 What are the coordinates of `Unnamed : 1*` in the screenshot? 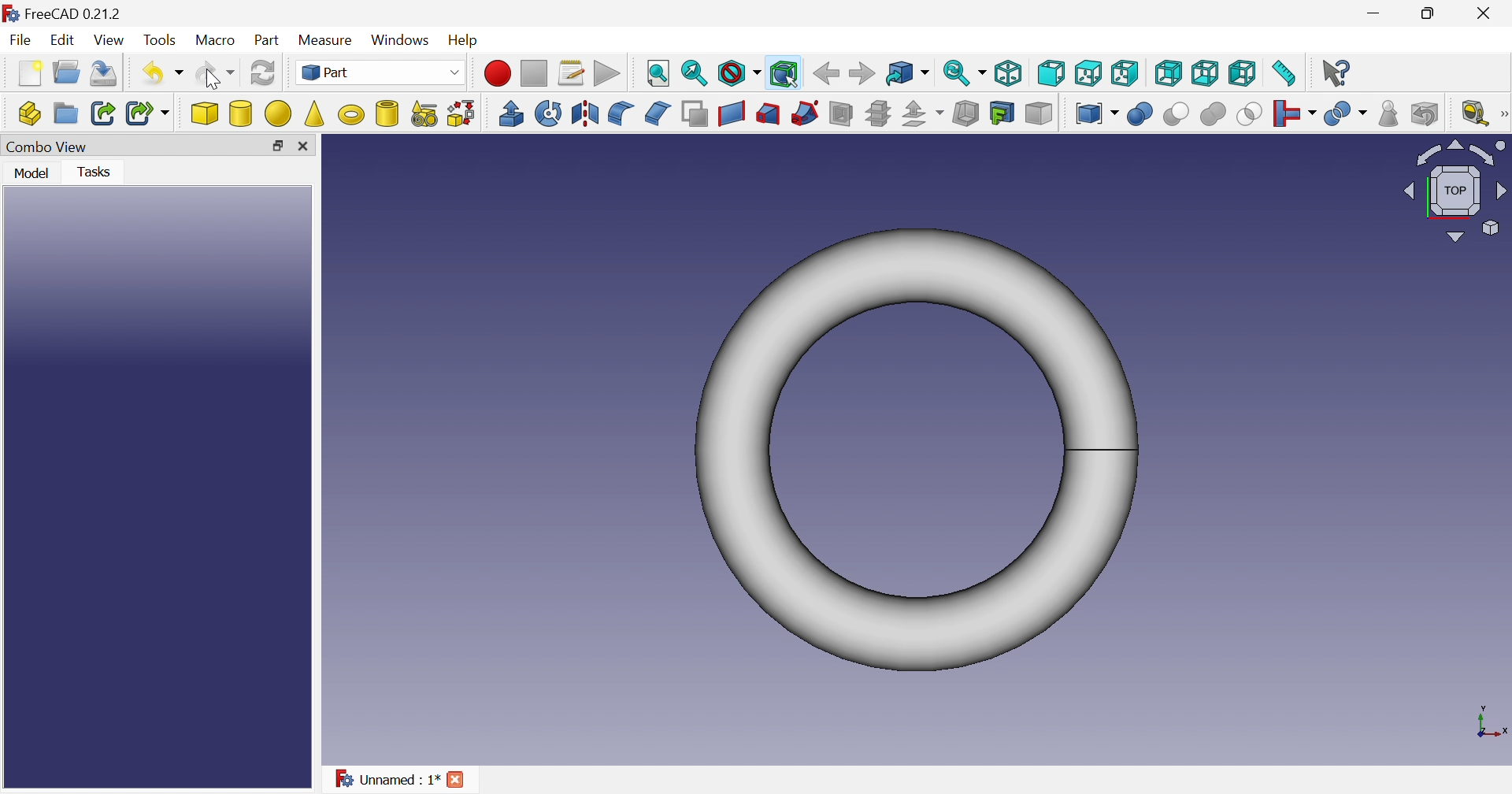 It's located at (387, 778).